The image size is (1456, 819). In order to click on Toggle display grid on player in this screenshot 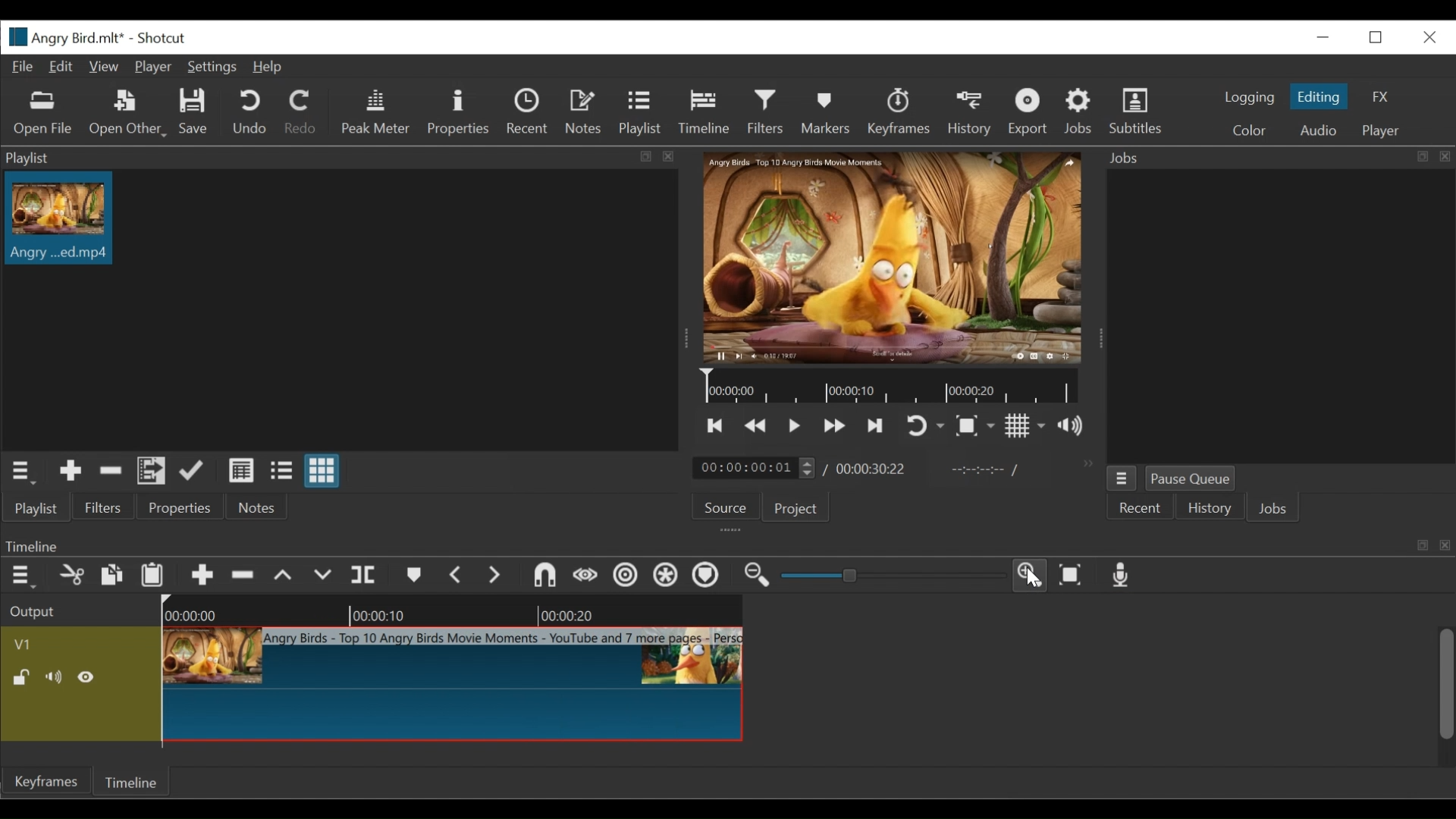, I will do `click(1026, 426)`.